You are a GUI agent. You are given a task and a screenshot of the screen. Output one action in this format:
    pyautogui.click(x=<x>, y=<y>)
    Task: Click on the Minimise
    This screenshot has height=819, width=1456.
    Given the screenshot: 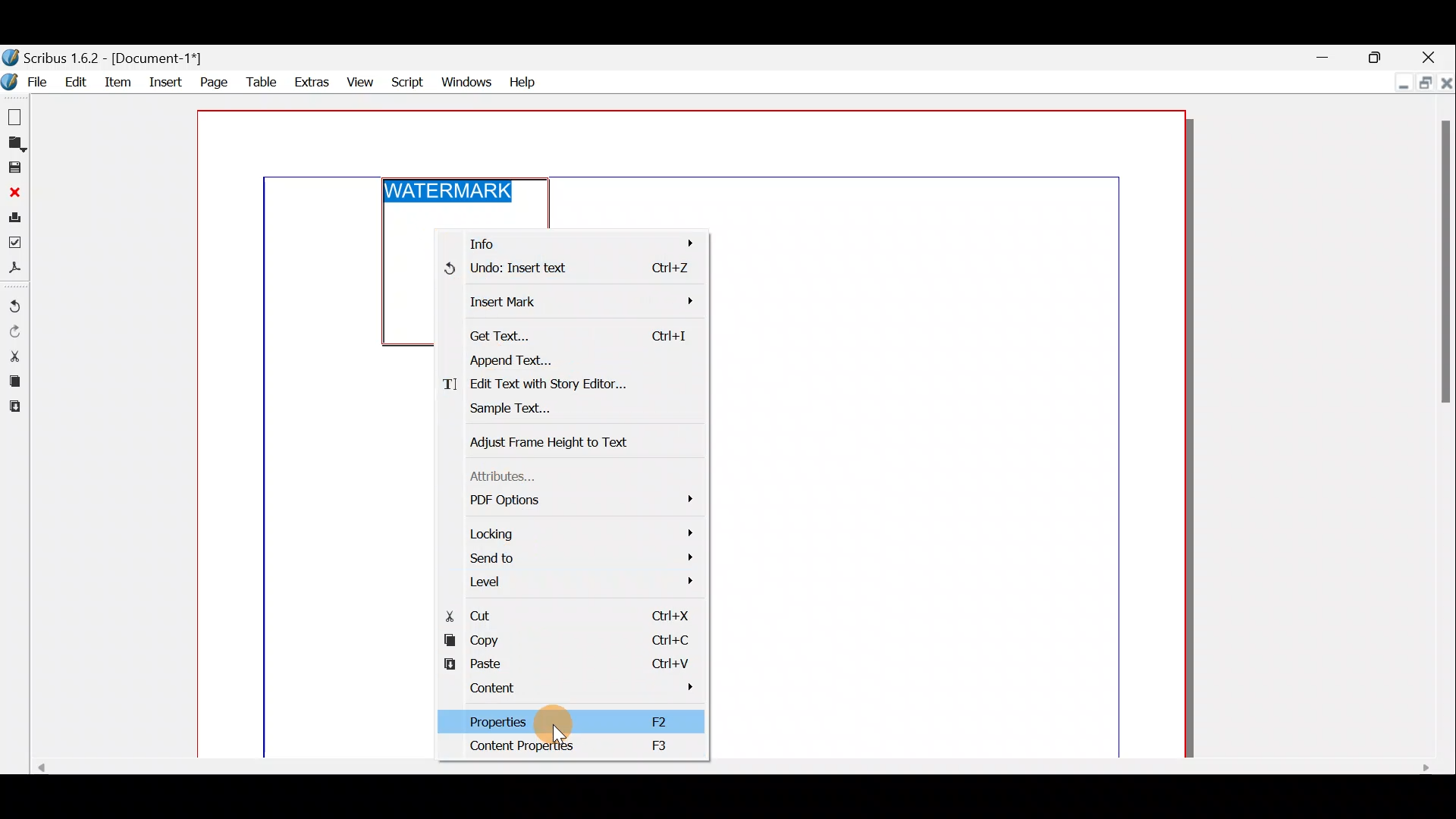 What is the action you would take?
    pyautogui.click(x=1399, y=83)
    